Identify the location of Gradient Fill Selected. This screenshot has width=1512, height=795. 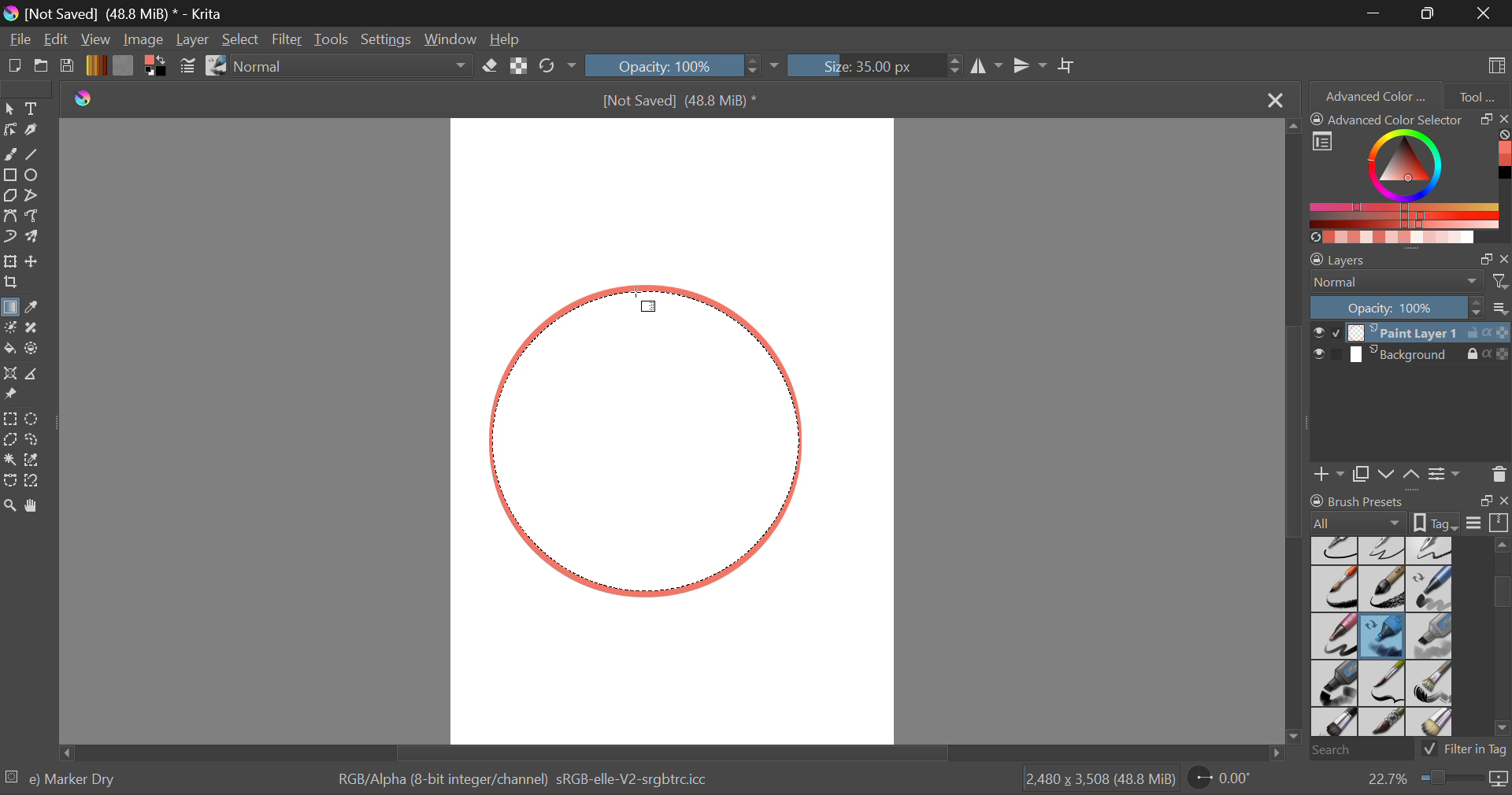
(9, 309).